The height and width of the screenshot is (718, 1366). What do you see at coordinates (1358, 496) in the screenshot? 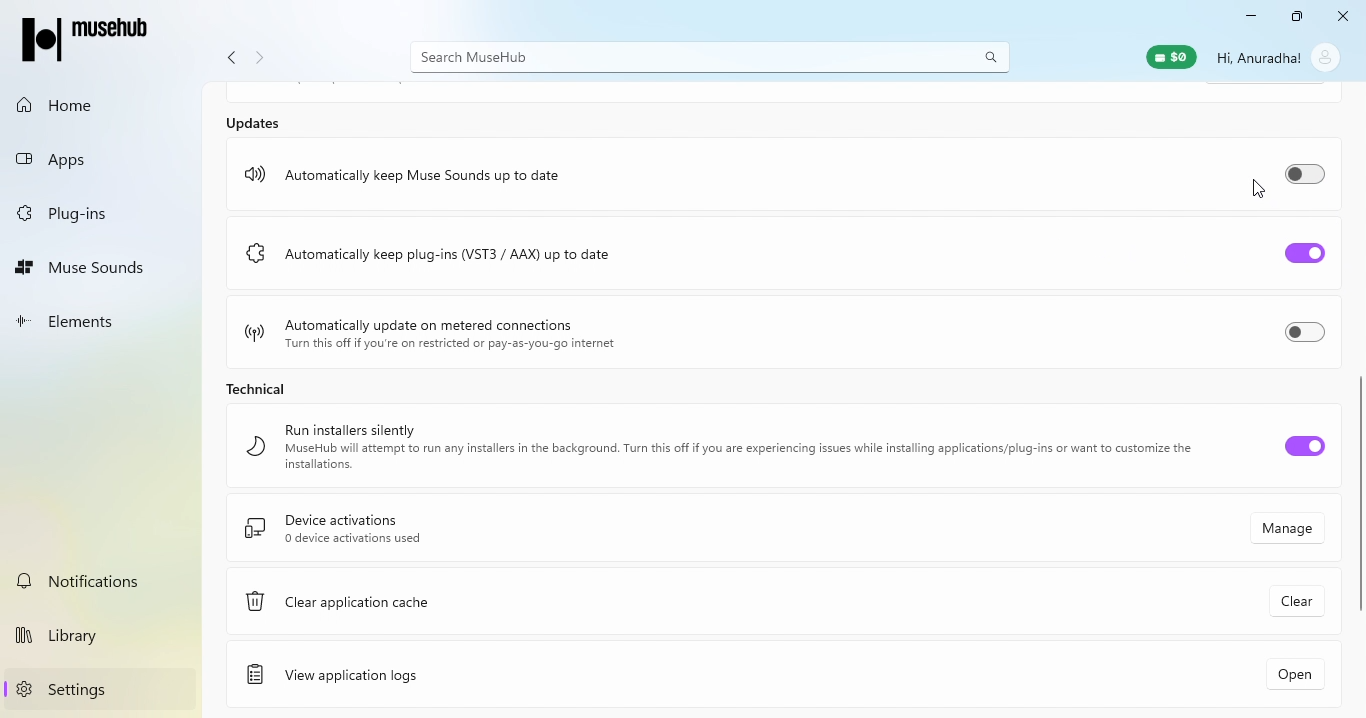
I see `Scroll bar` at bounding box center [1358, 496].